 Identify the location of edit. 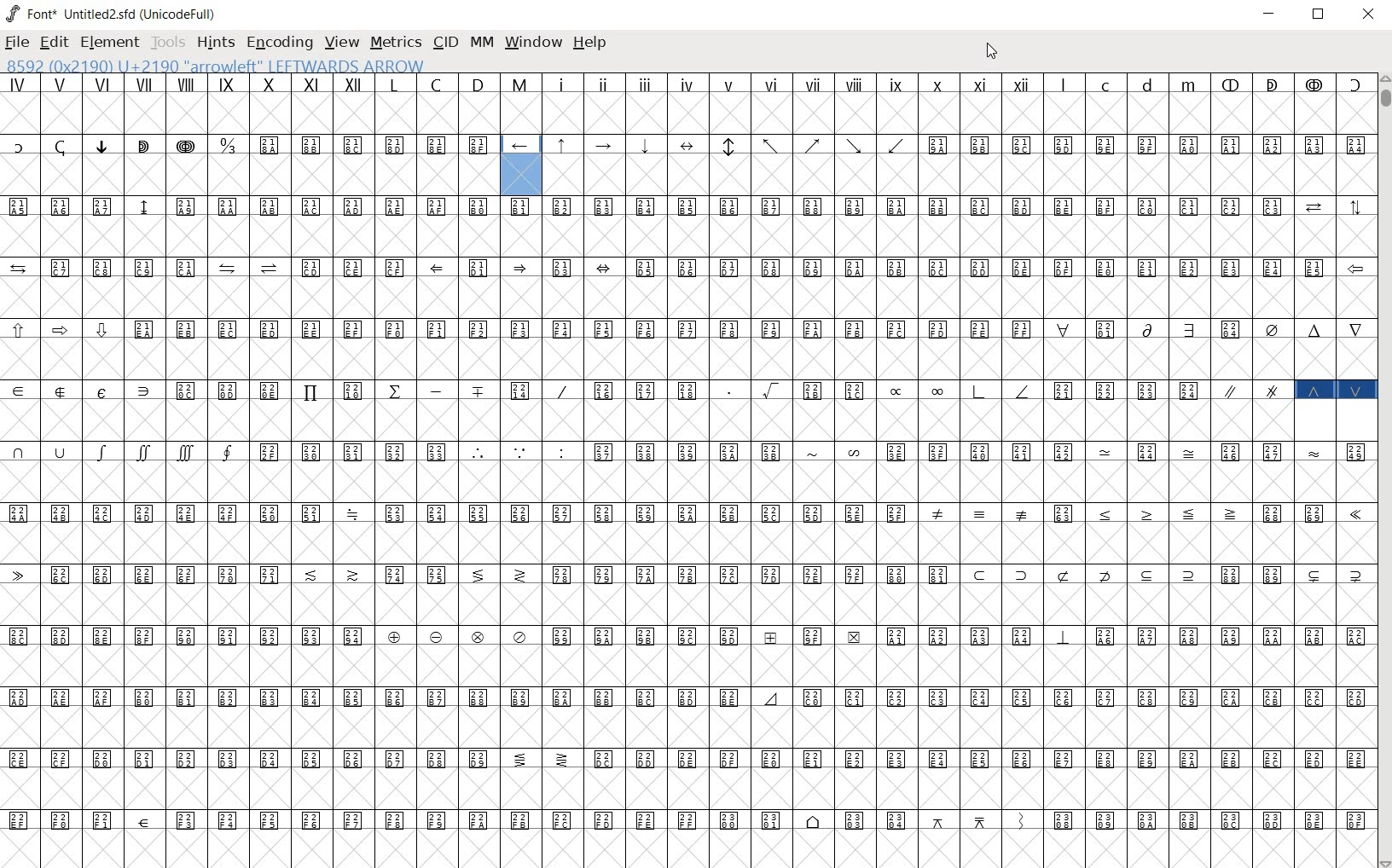
(53, 43).